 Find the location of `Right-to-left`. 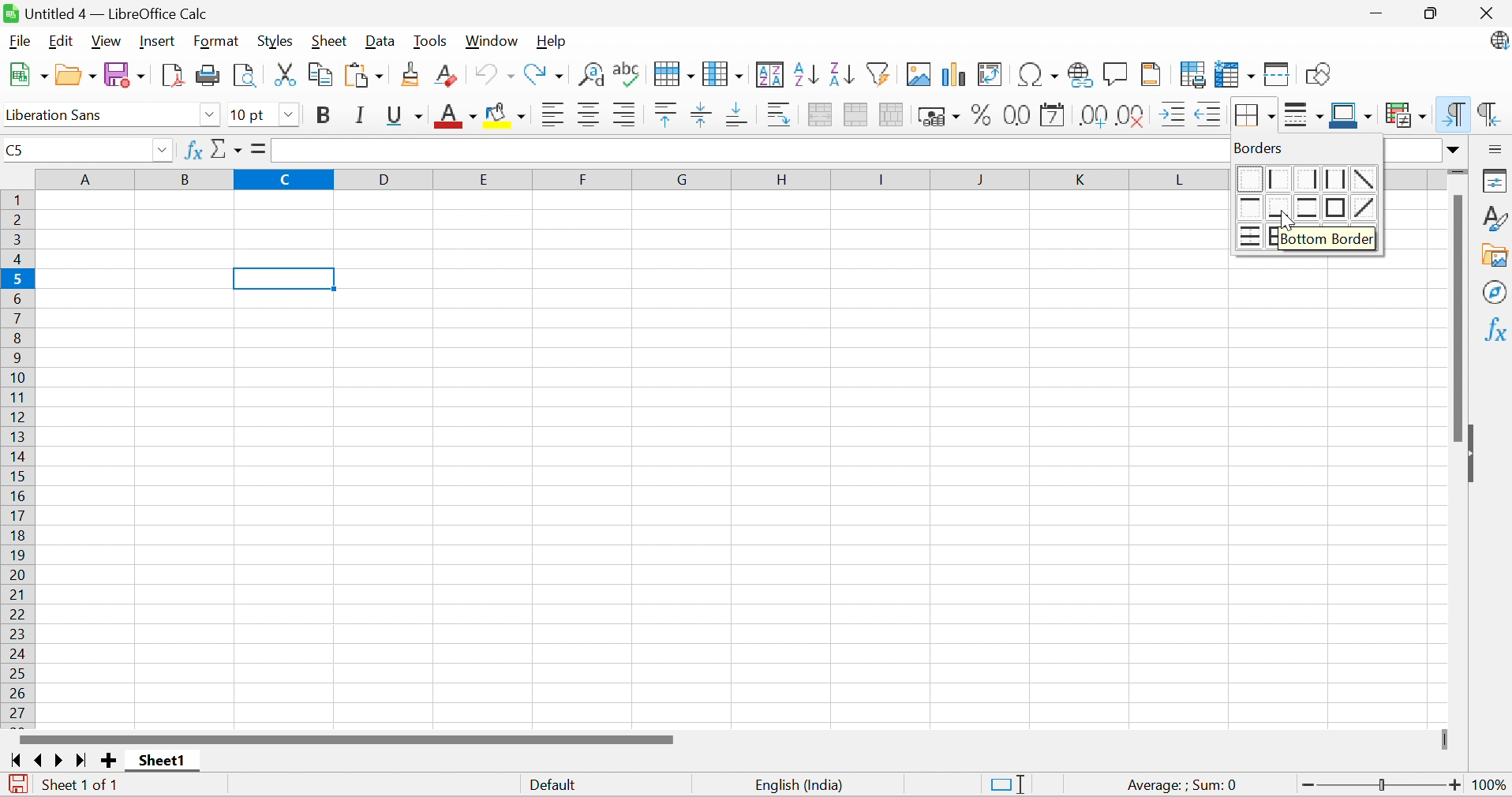

Right-to-left is located at coordinates (1488, 114).